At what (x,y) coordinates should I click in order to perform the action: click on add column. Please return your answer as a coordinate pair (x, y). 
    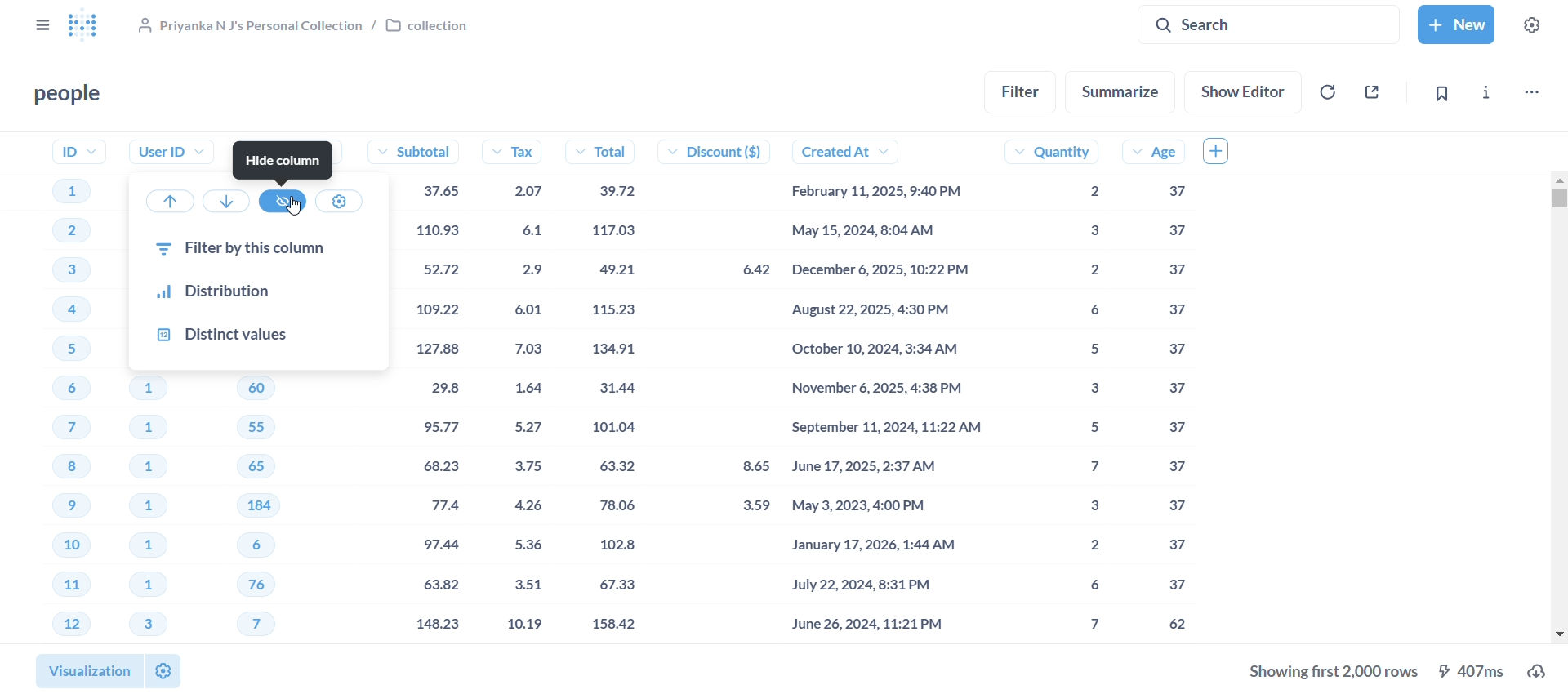
    Looking at the image, I should click on (1221, 152).